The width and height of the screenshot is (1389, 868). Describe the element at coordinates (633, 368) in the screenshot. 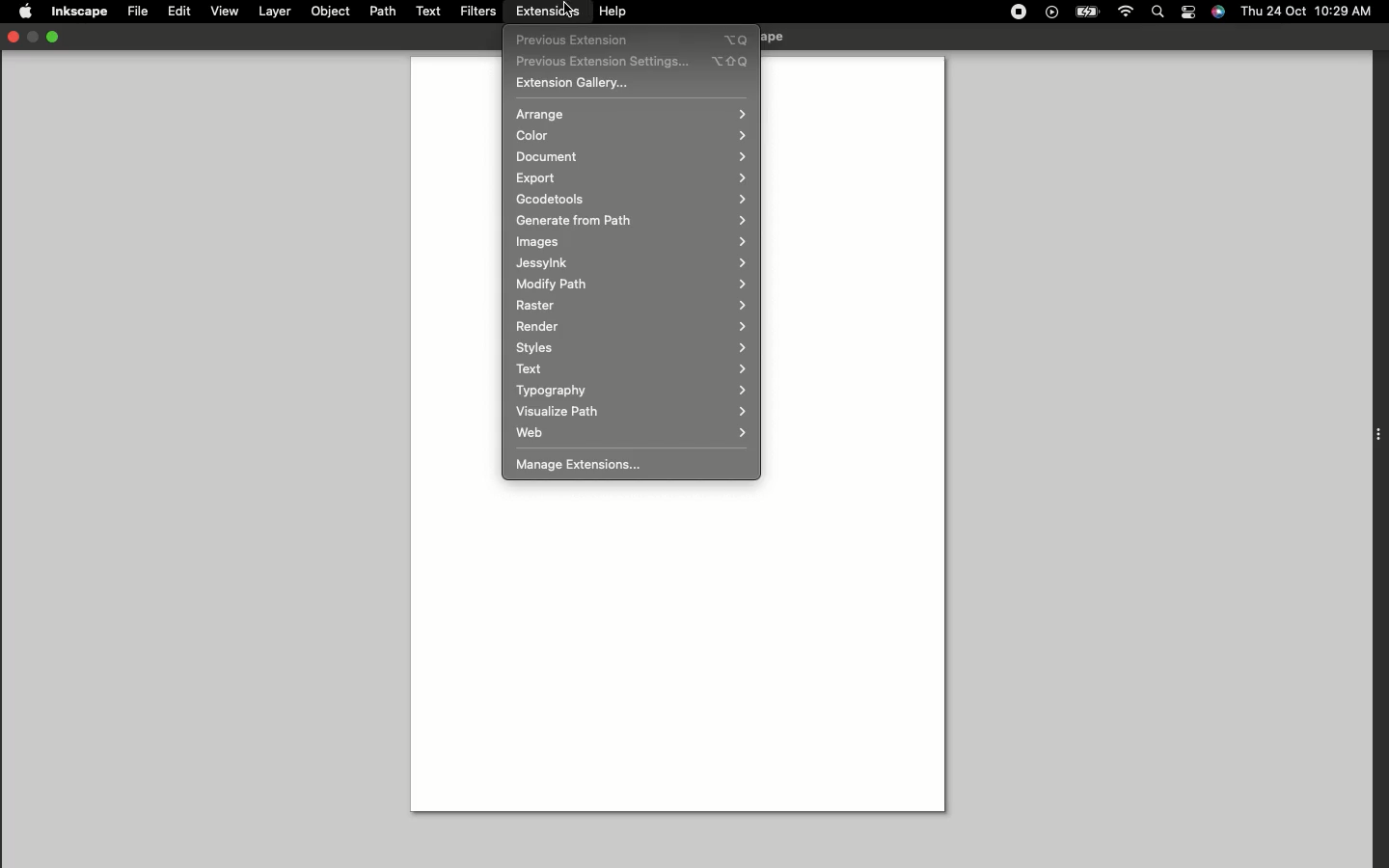

I see `Text` at that location.